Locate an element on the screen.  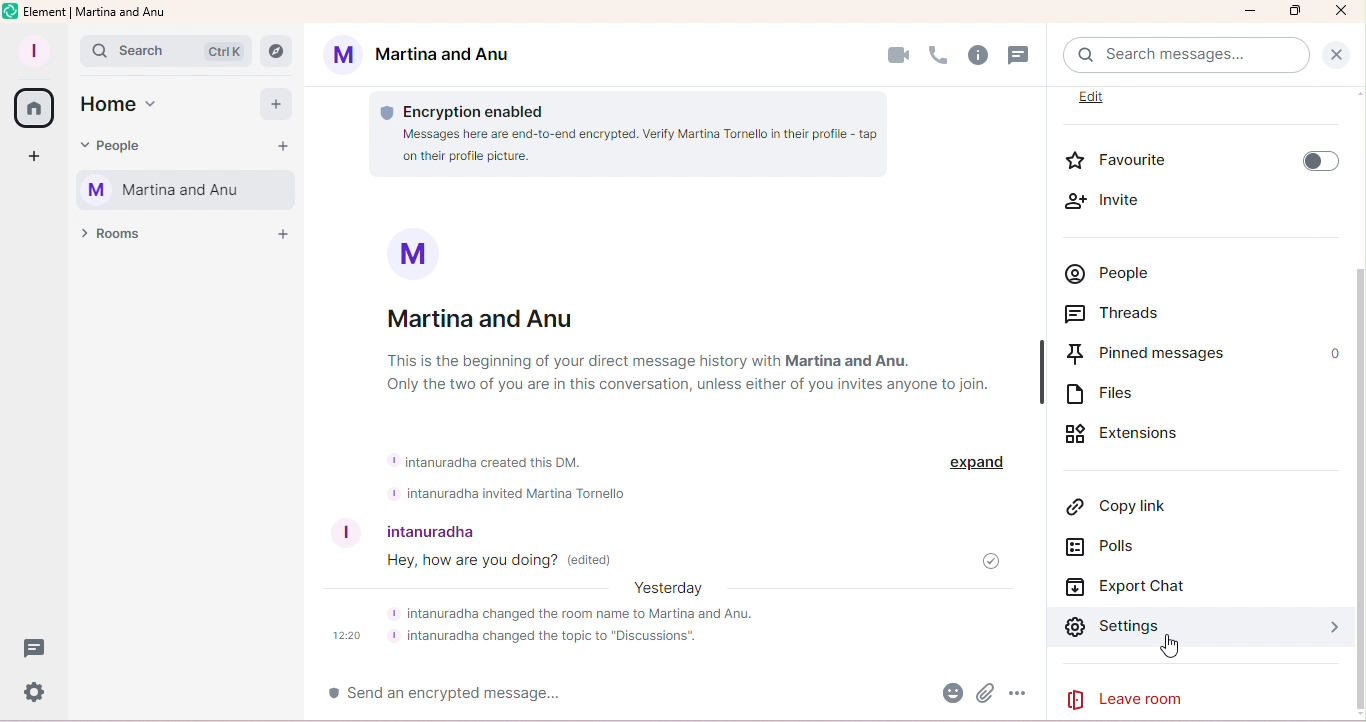
Home is located at coordinates (33, 109).